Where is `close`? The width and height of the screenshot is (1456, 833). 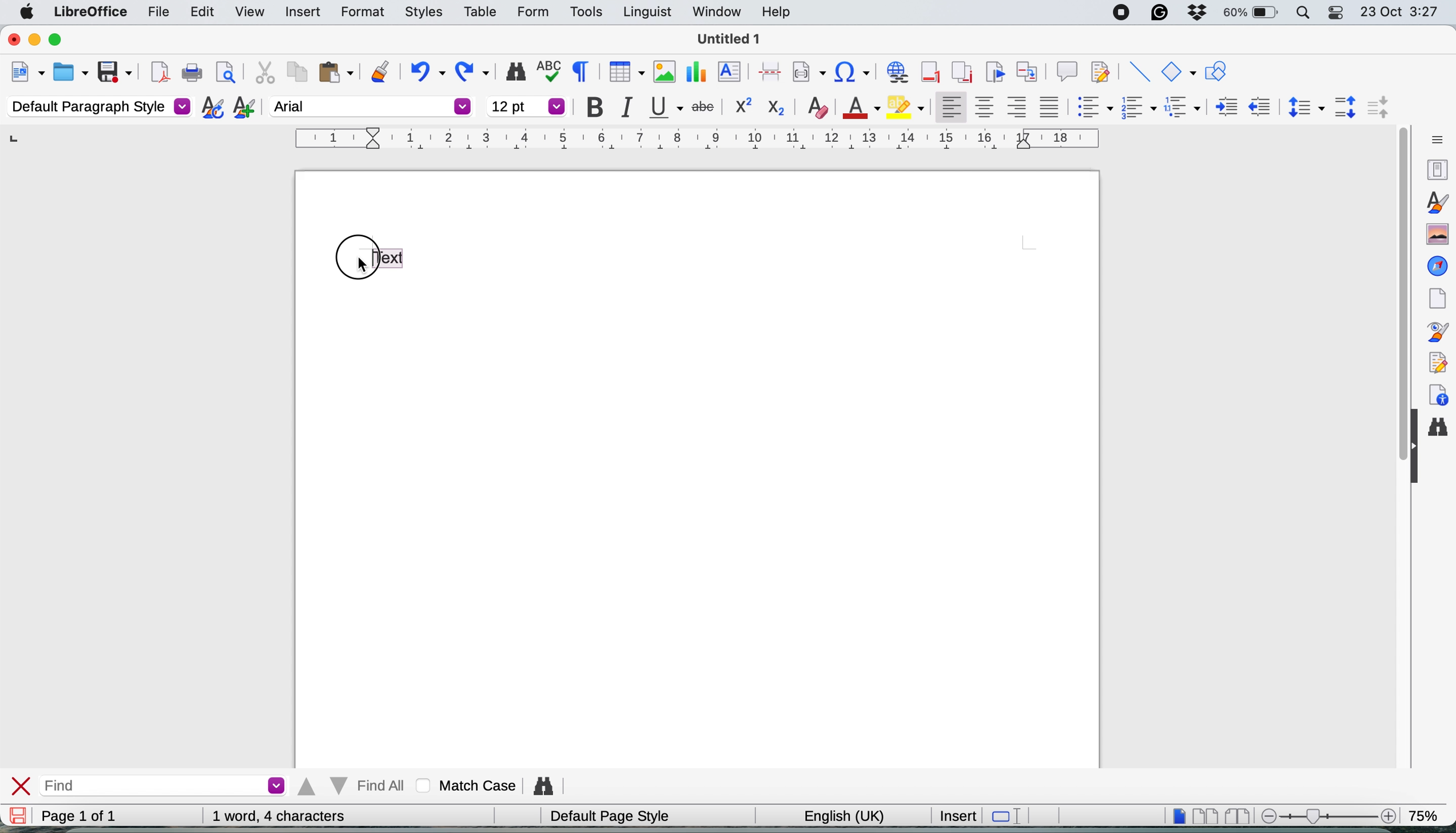 close is located at coordinates (22, 785).